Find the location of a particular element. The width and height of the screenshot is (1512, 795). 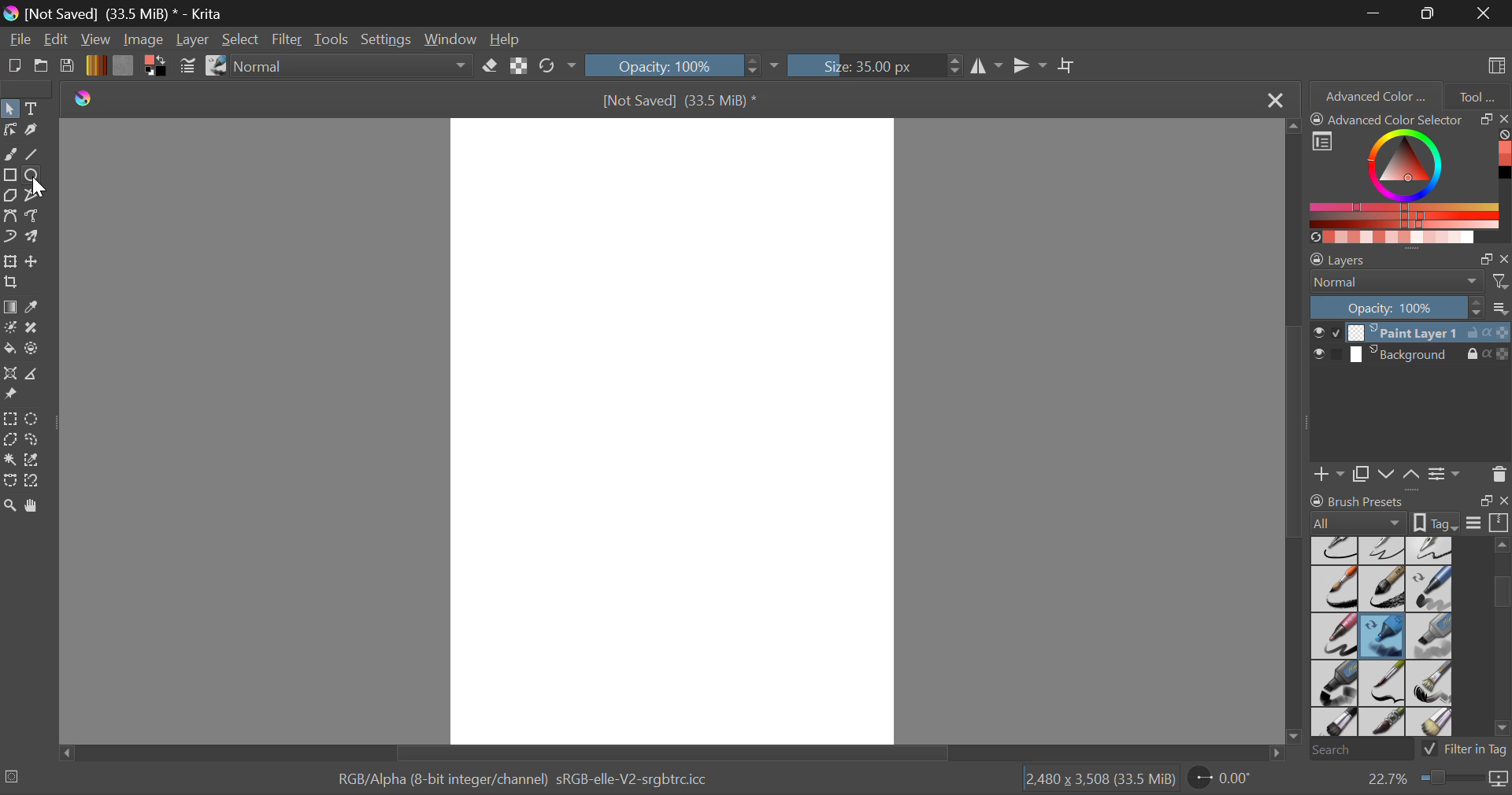

Gradient Fill is located at coordinates (9, 309).